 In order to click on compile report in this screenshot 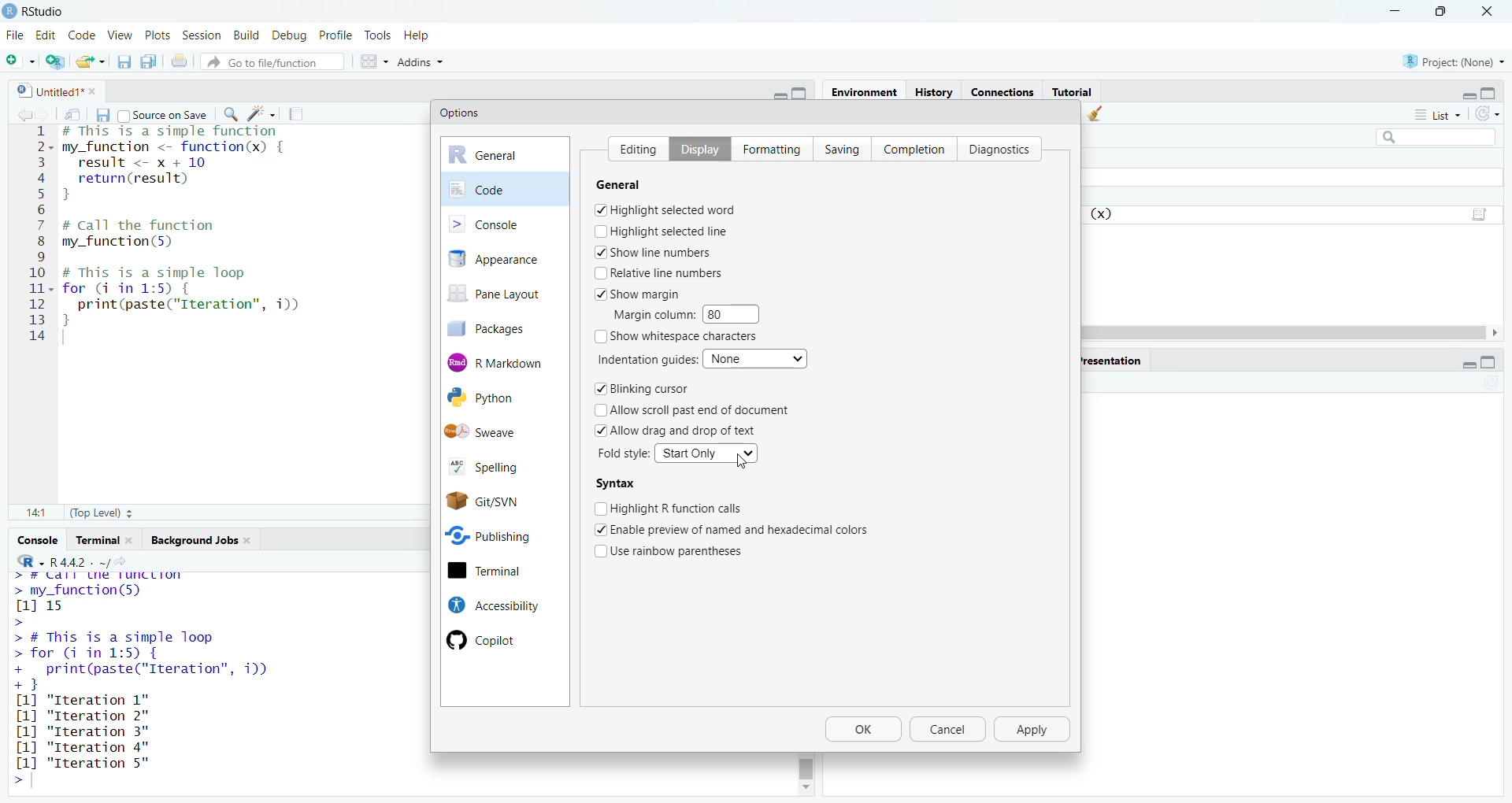, I will do `click(300, 112)`.